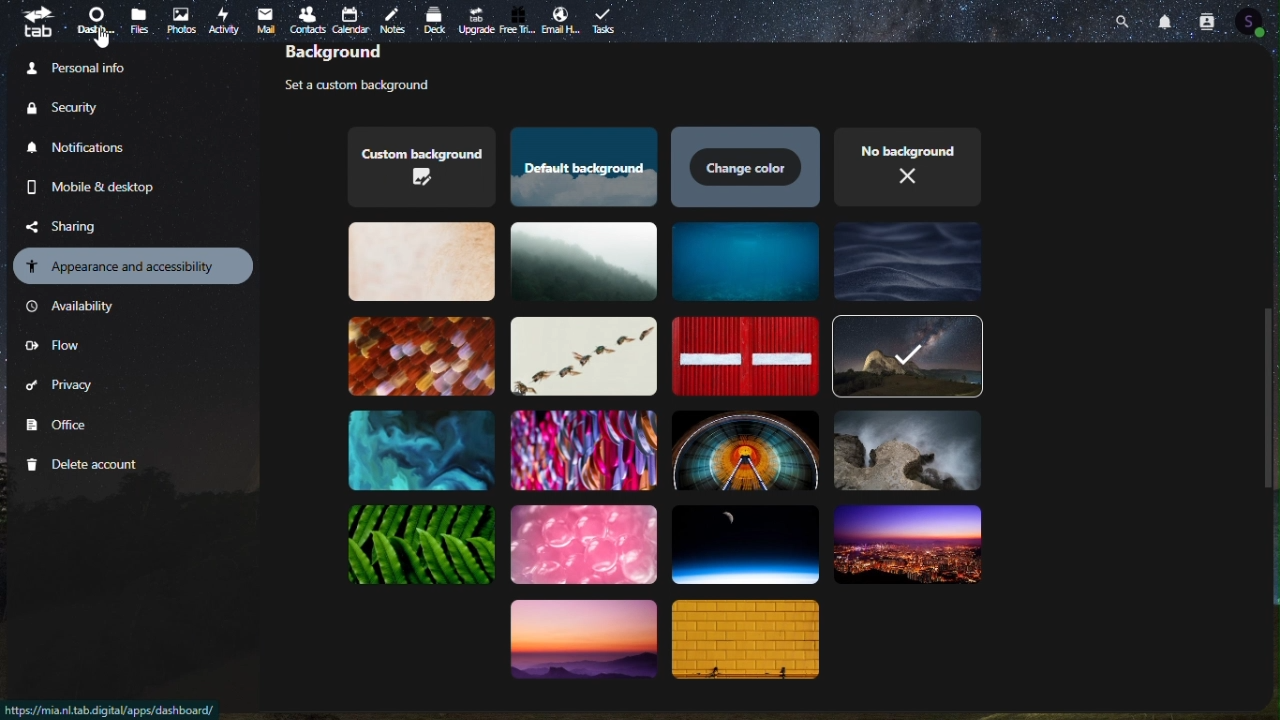 This screenshot has width=1280, height=720. Describe the element at coordinates (745, 448) in the screenshot. I see `Themes` at that location.